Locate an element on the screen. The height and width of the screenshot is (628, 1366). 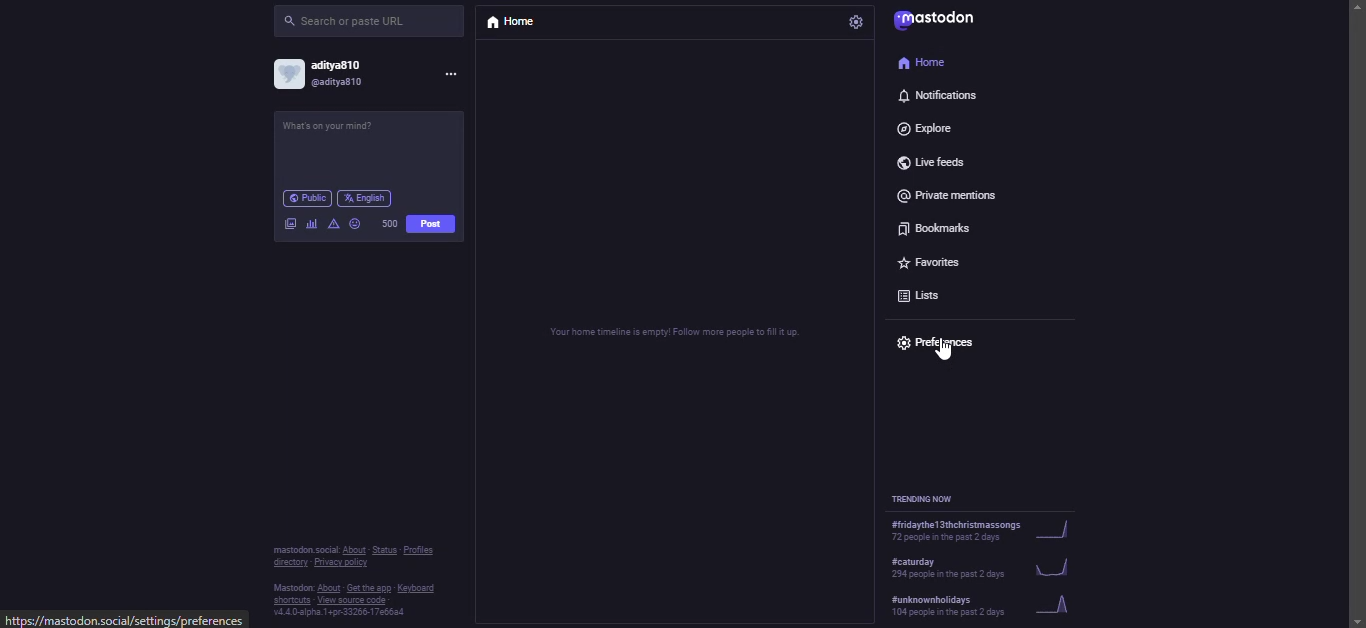
explore is located at coordinates (930, 126).